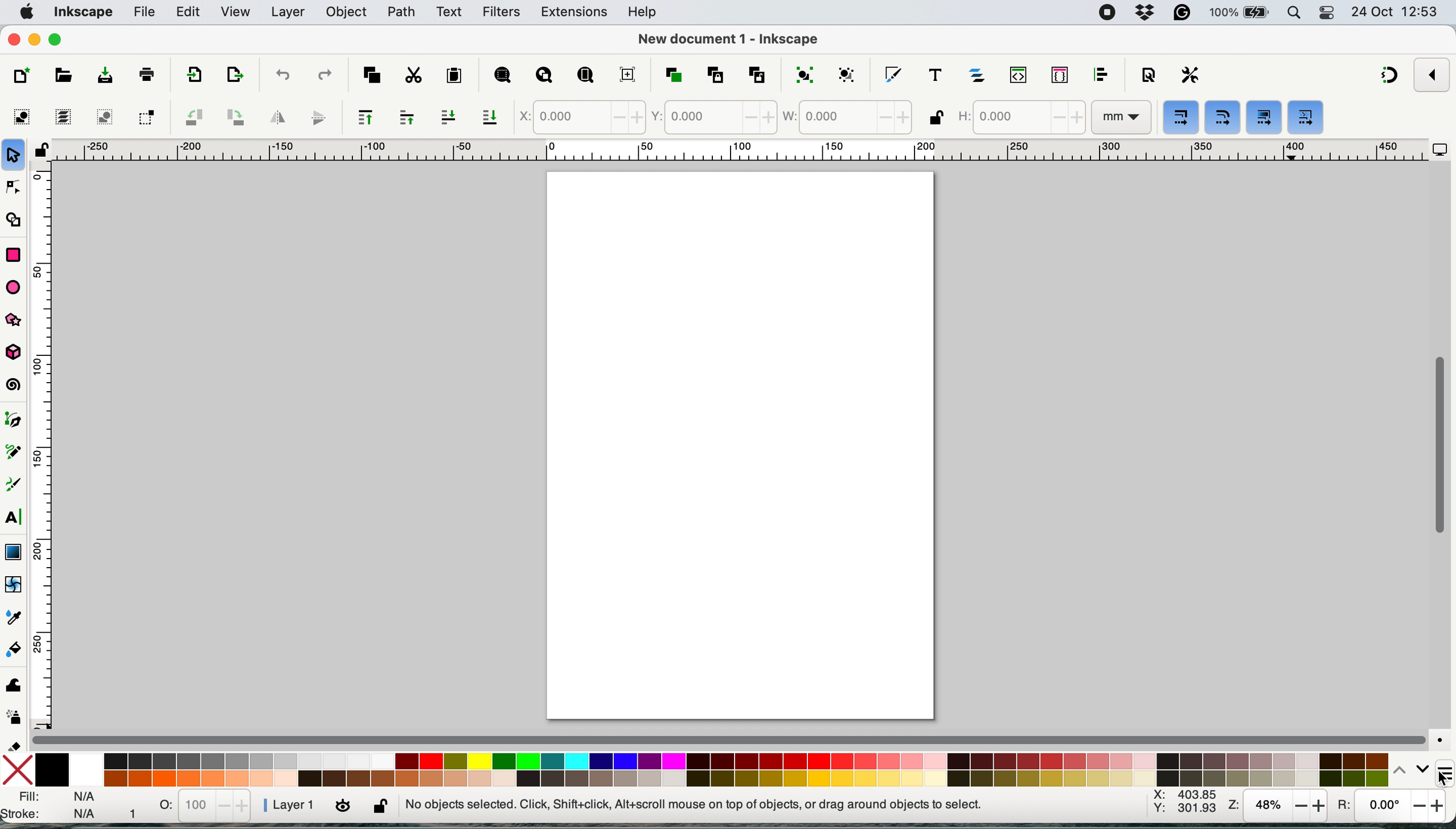  What do you see at coordinates (350, 13) in the screenshot?
I see `object` at bounding box center [350, 13].